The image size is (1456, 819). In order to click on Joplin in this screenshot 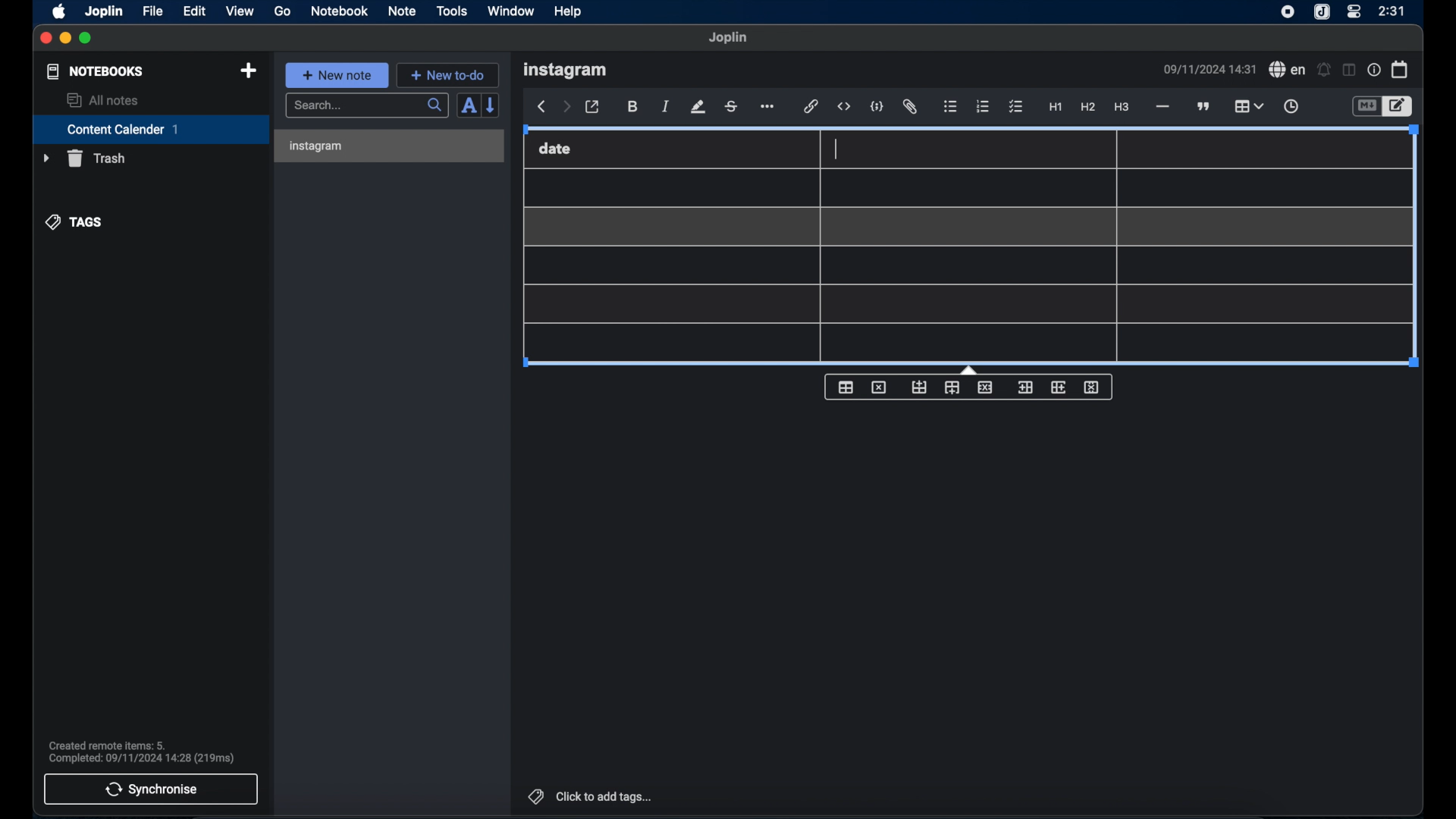, I will do `click(729, 38)`.